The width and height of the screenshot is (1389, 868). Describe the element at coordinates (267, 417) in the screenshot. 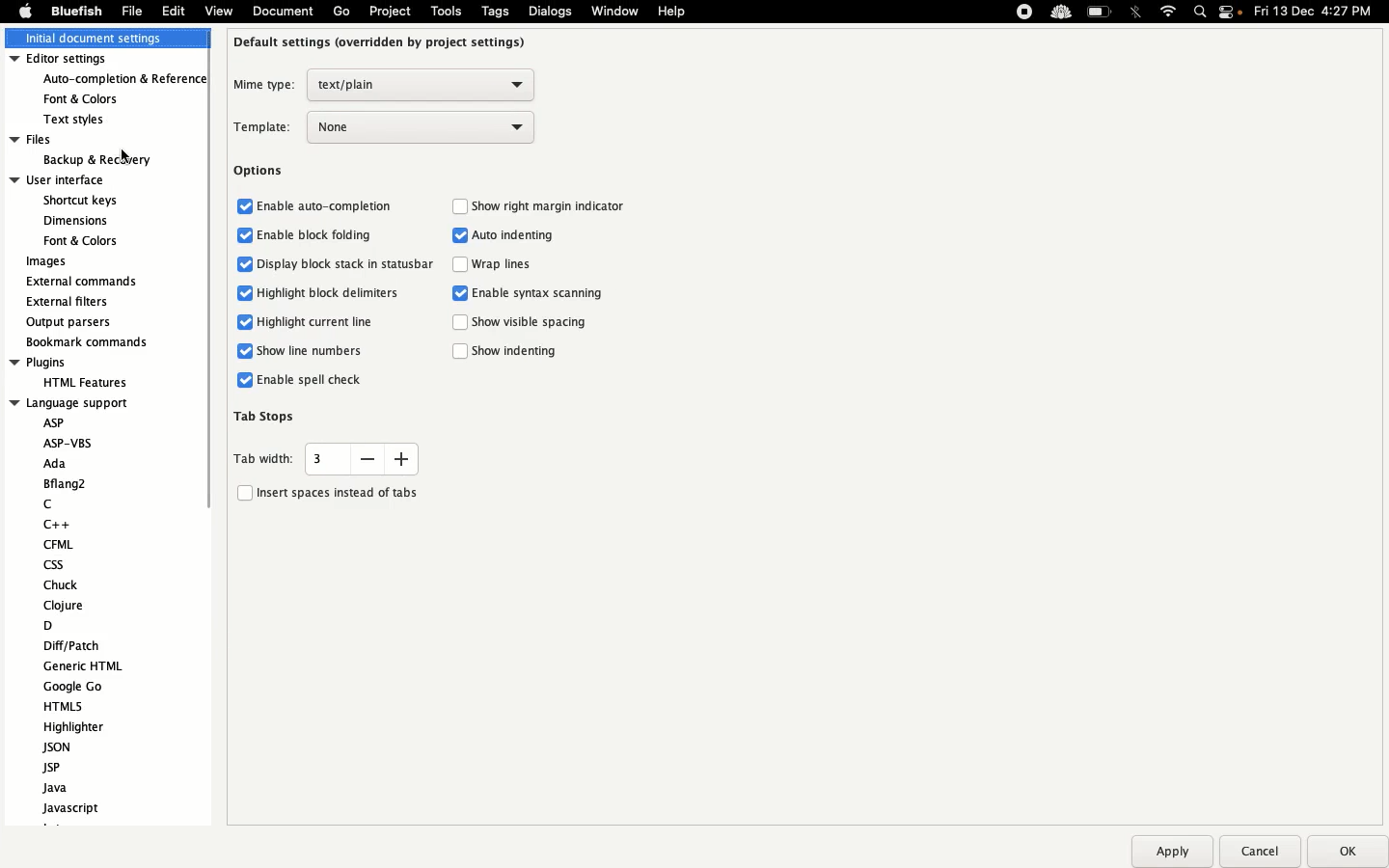

I see `Tab stops` at that location.